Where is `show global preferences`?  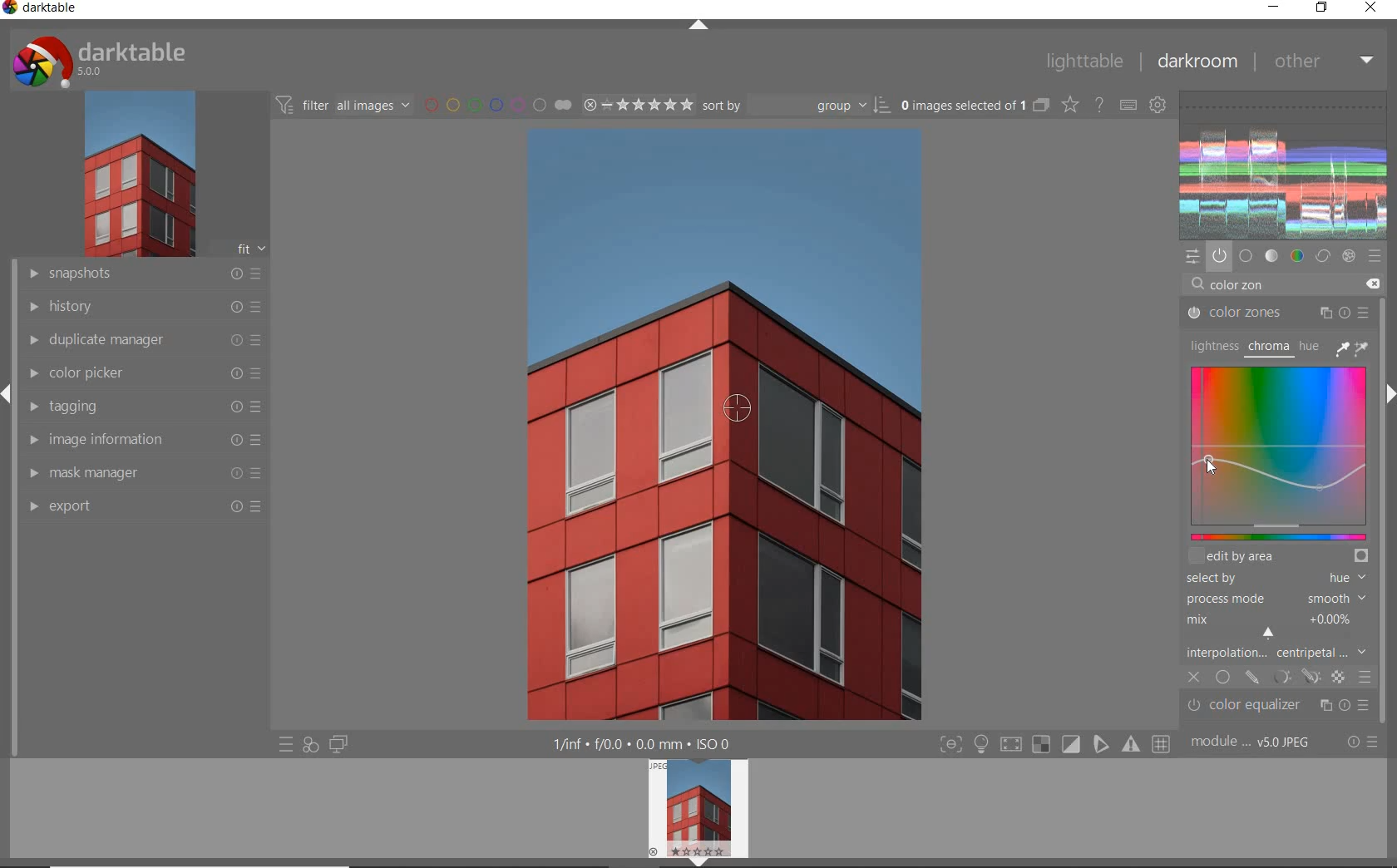
show global preferences is located at coordinates (1159, 106).